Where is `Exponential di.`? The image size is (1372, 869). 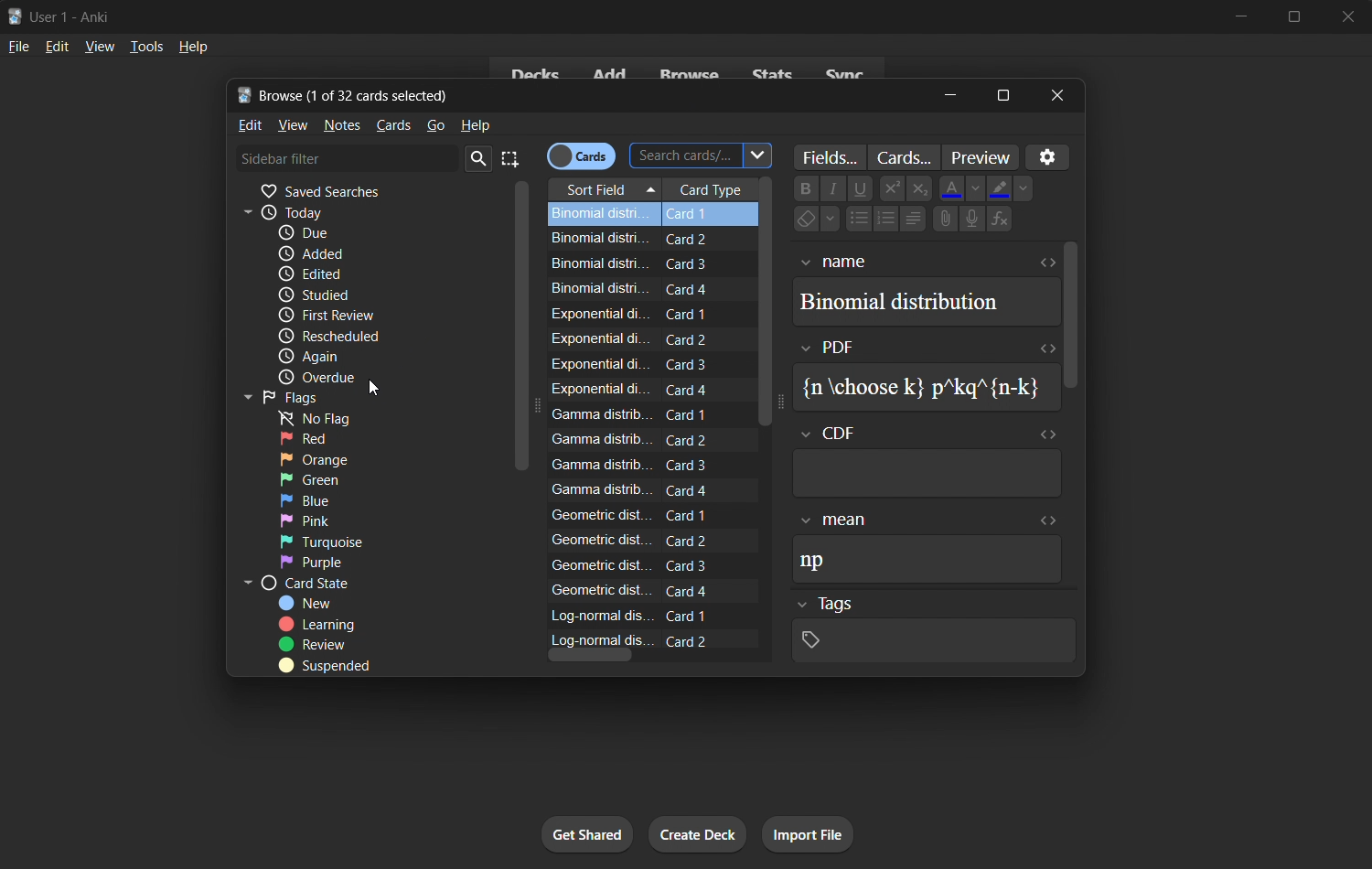
Exponential di. is located at coordinates (598, 366).